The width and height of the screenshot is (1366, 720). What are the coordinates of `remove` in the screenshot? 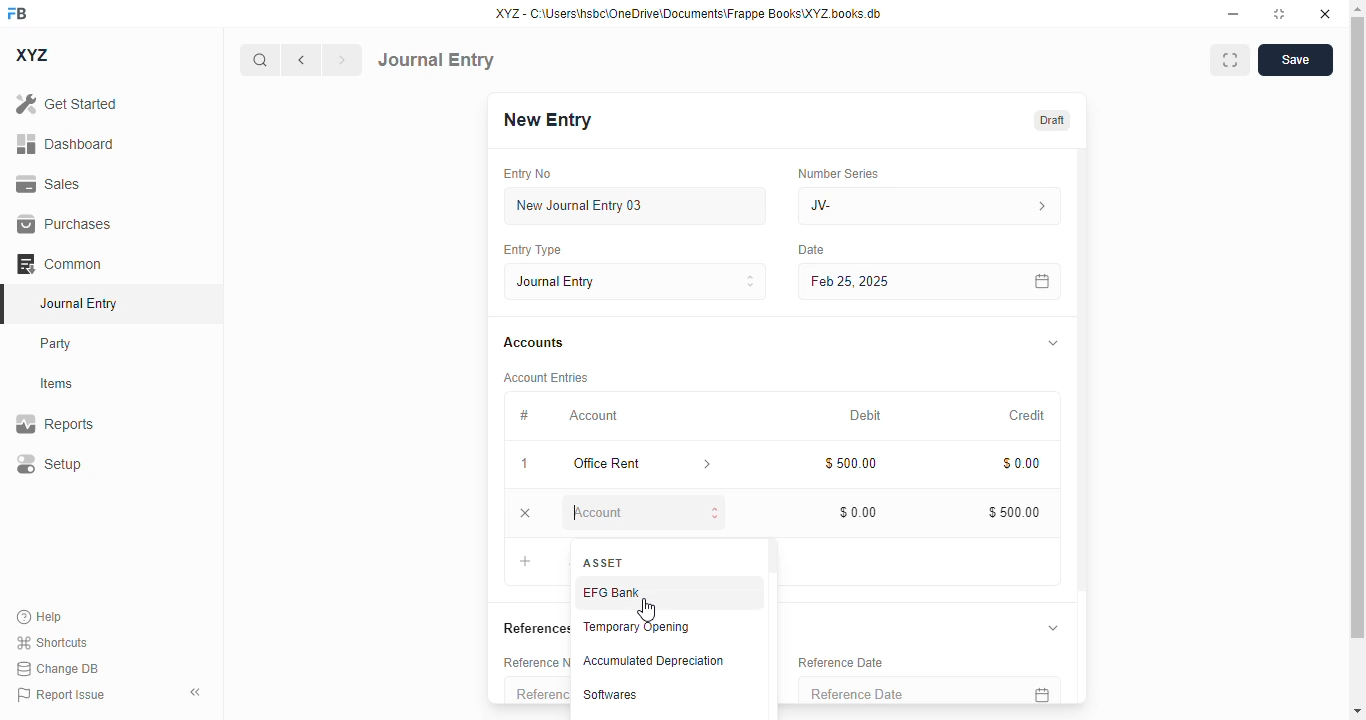 It's located at (526, 513).